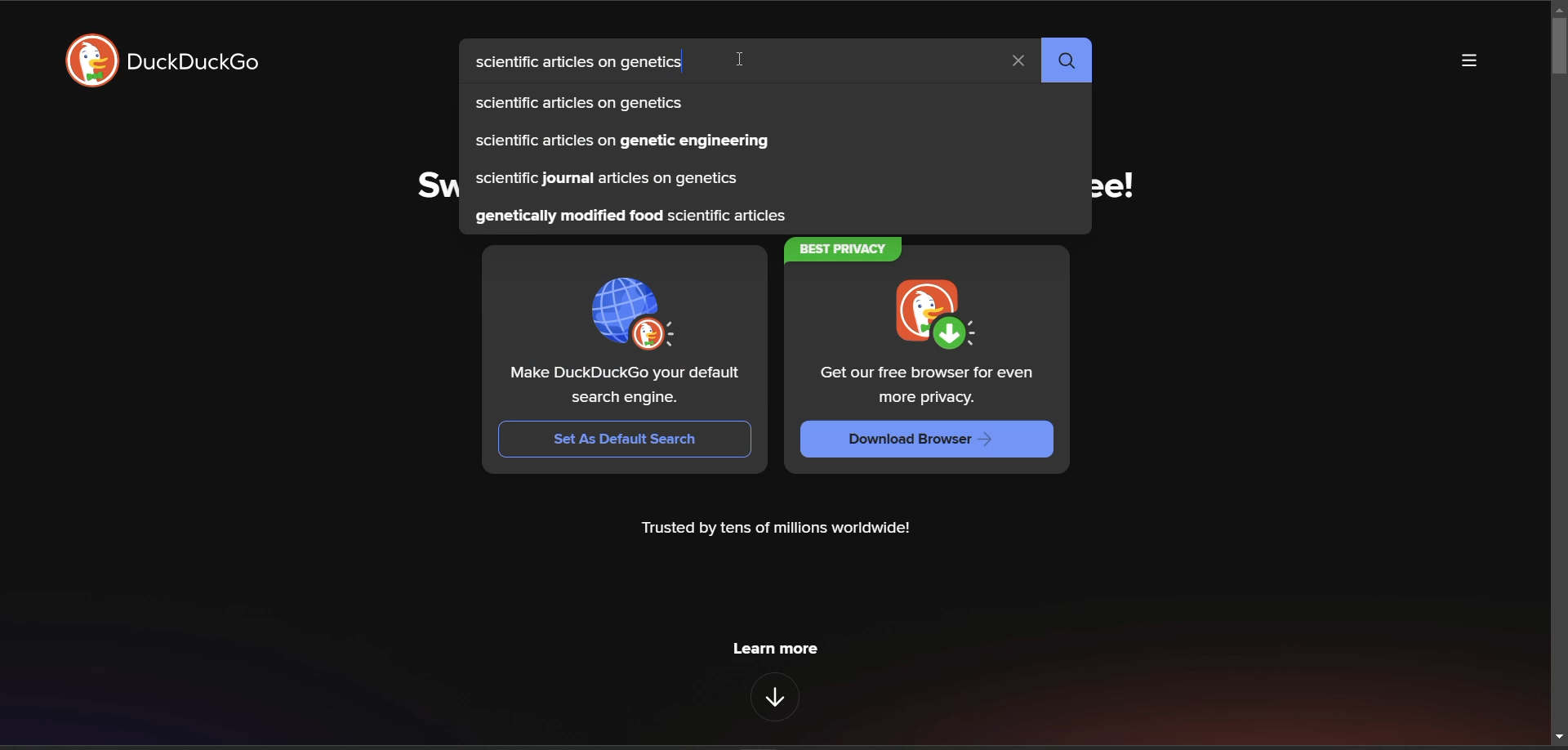 Image resolution: width=1568 pixels, height=750 pixels. I want to click on BEST PRIVACY, so click(847, 248).